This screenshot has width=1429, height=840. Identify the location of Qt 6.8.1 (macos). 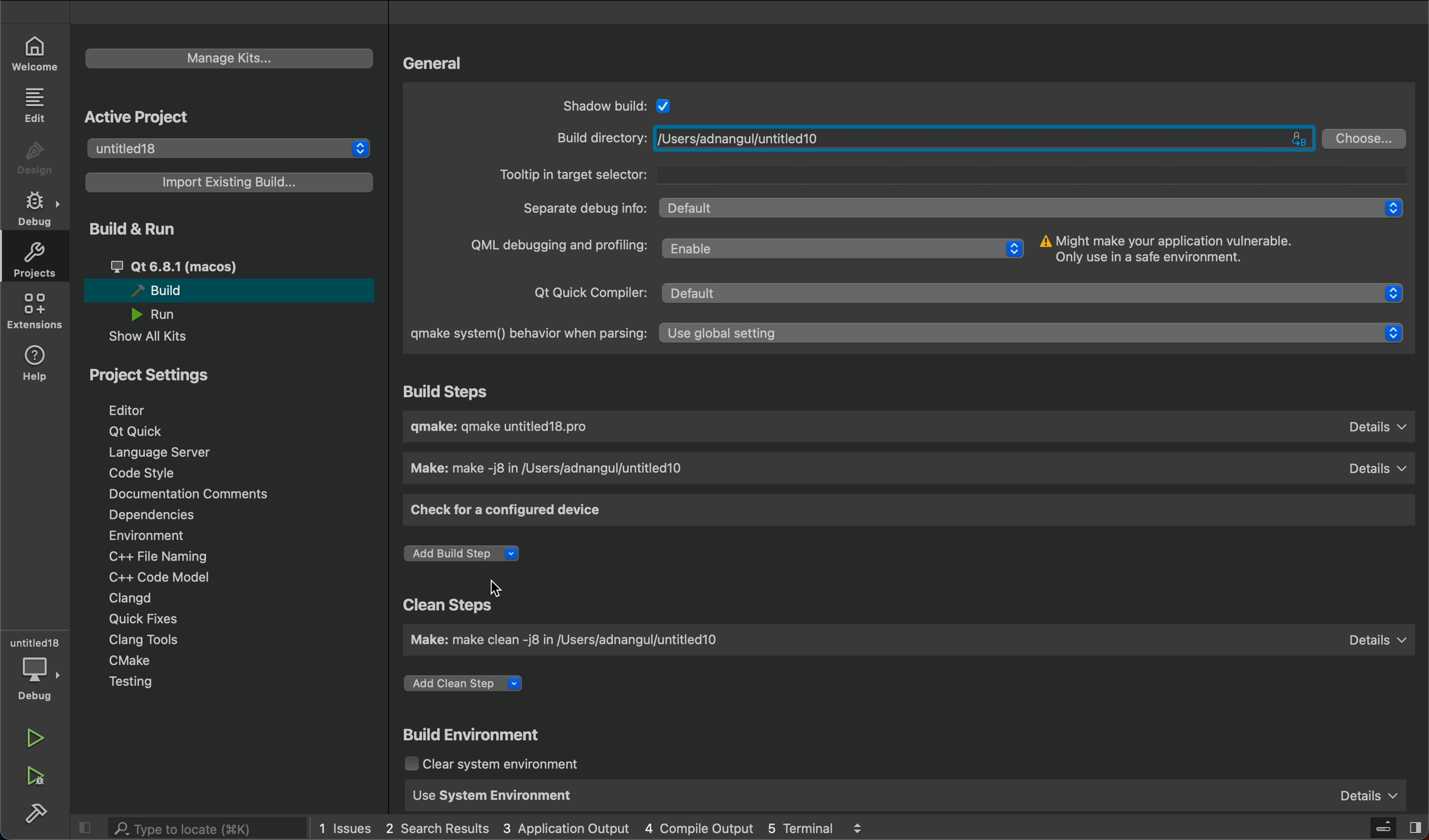
(174, 266).